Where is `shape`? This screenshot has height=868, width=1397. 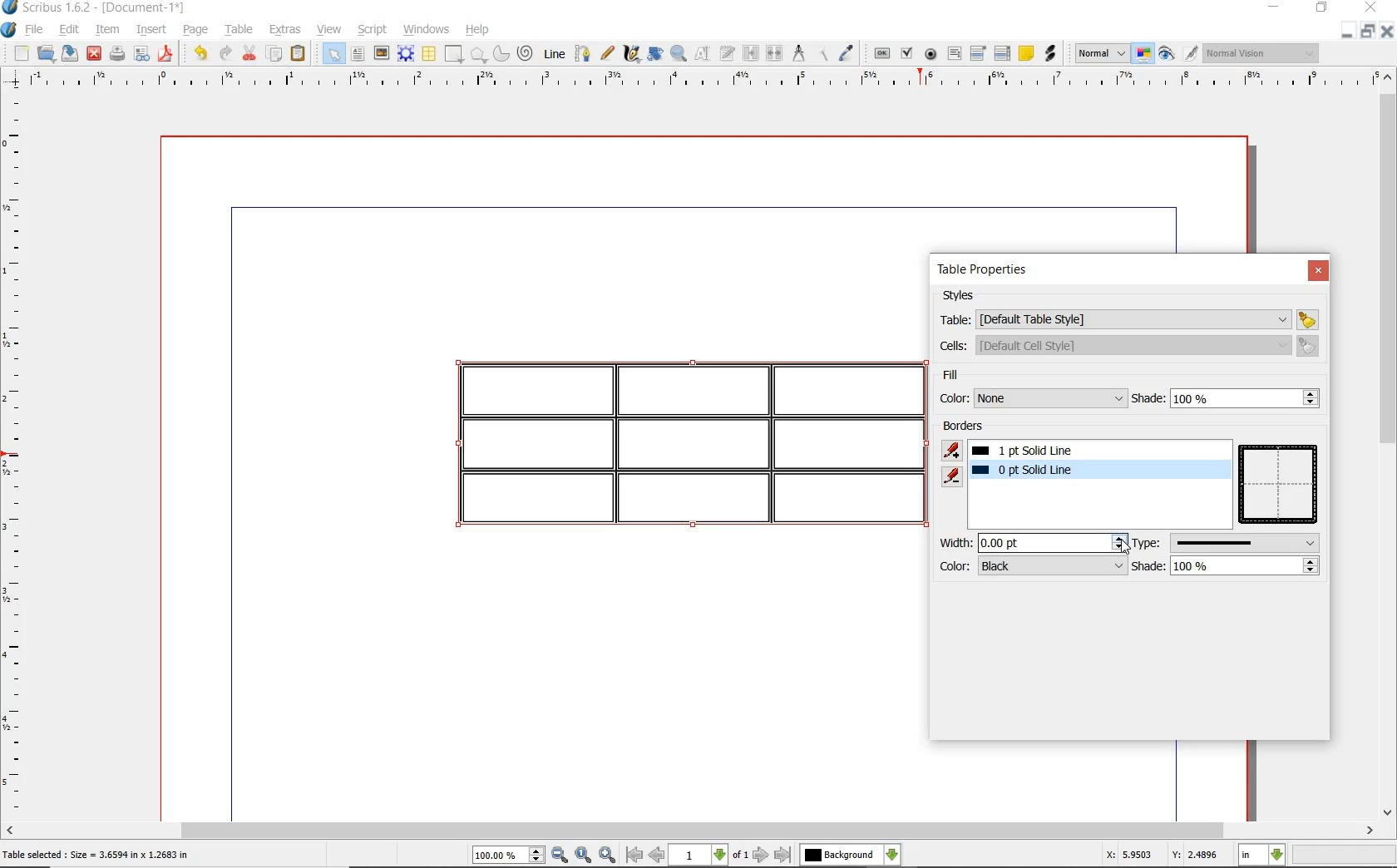
shape is located at coordinates (452, 55).